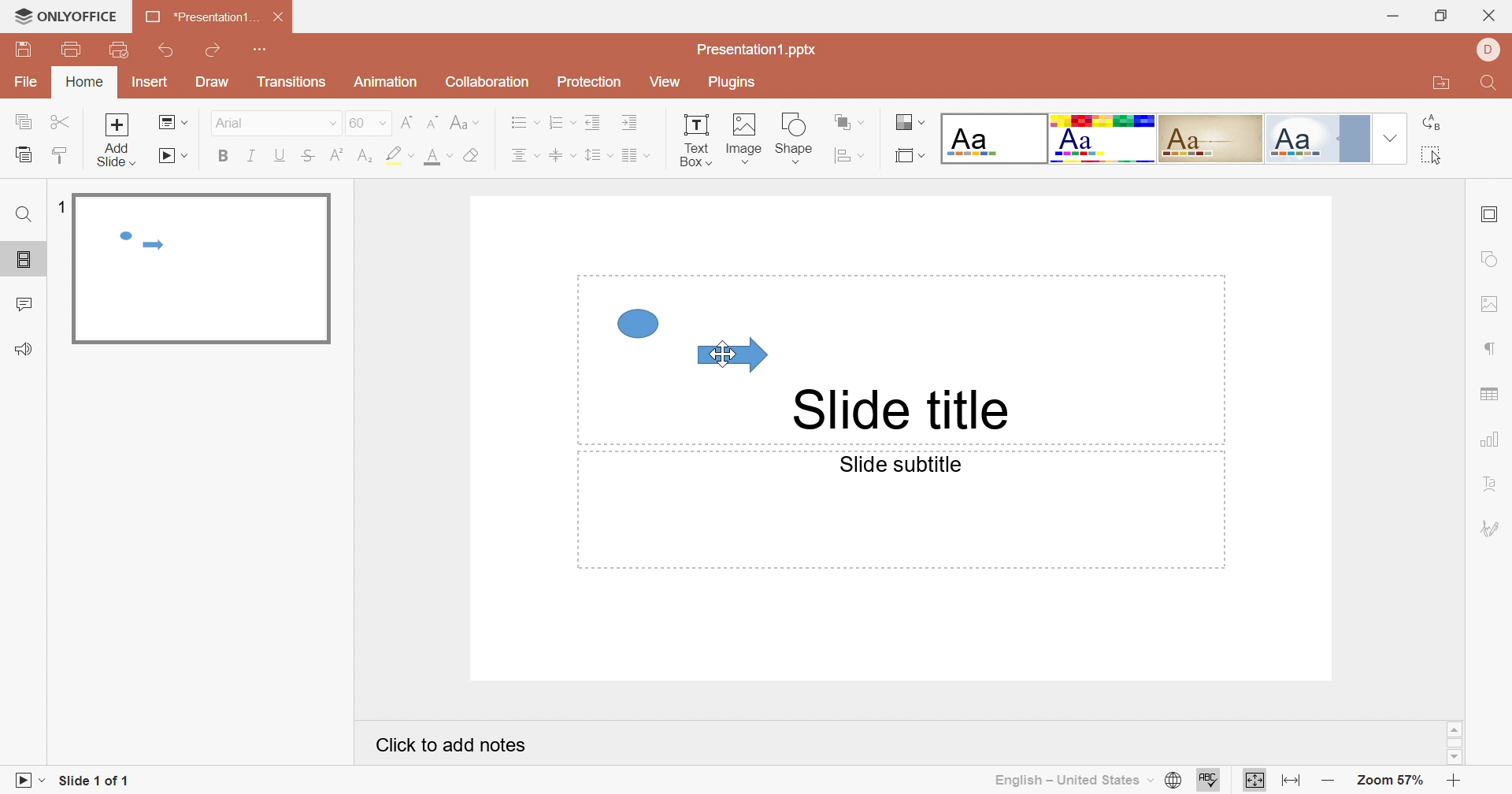 The height and width of the screenshot is (794, 1512). Describe the element at coordinates (469, 122) in the screenshot. I see `Change case` at that location.